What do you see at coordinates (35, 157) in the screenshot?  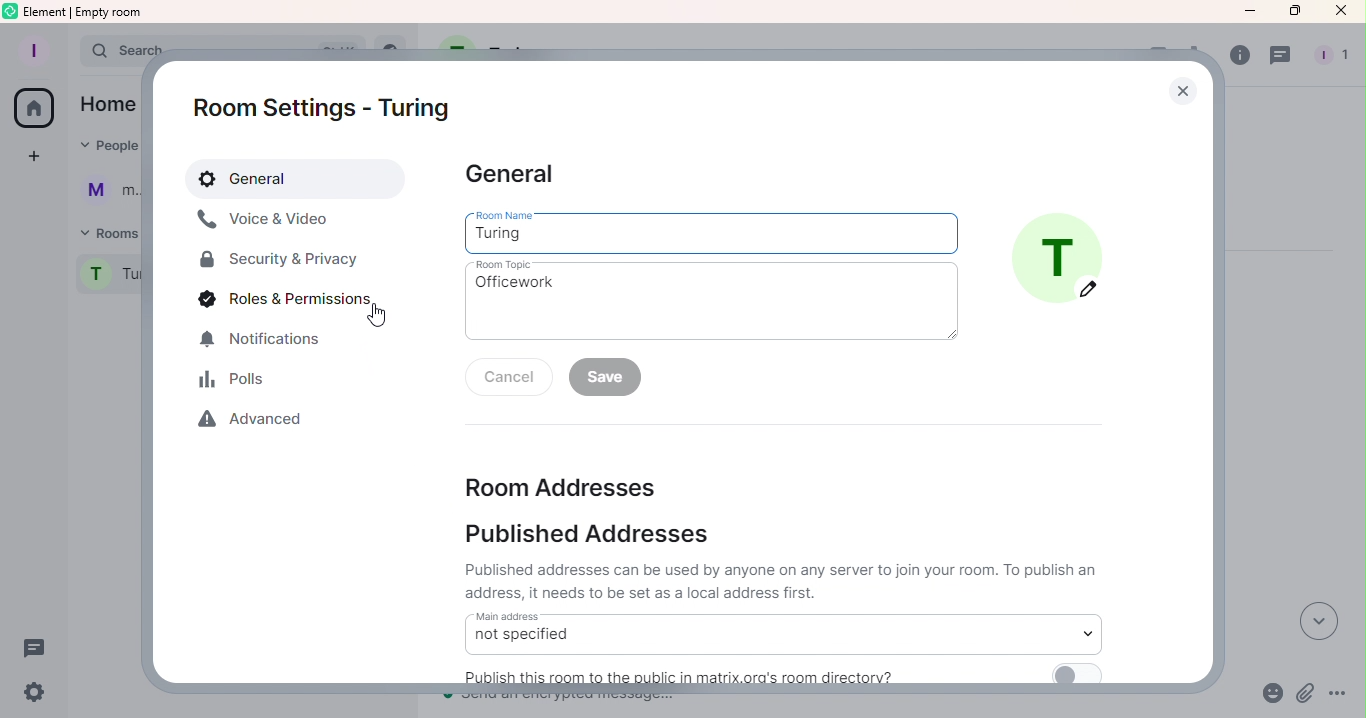 I see `Create space` at bounding box center [35, 157].